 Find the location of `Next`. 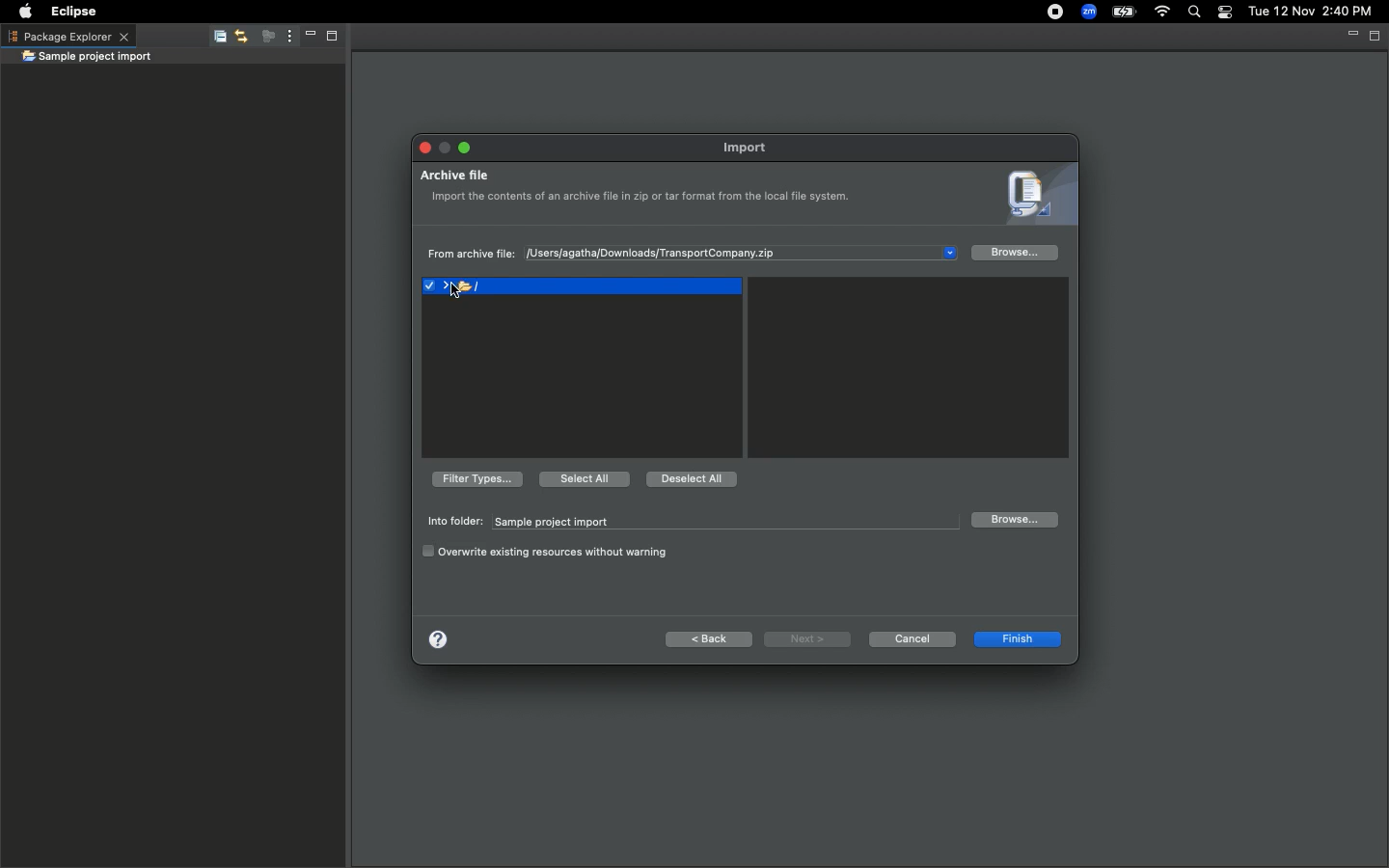

Next is located at coordinates (807, 639).